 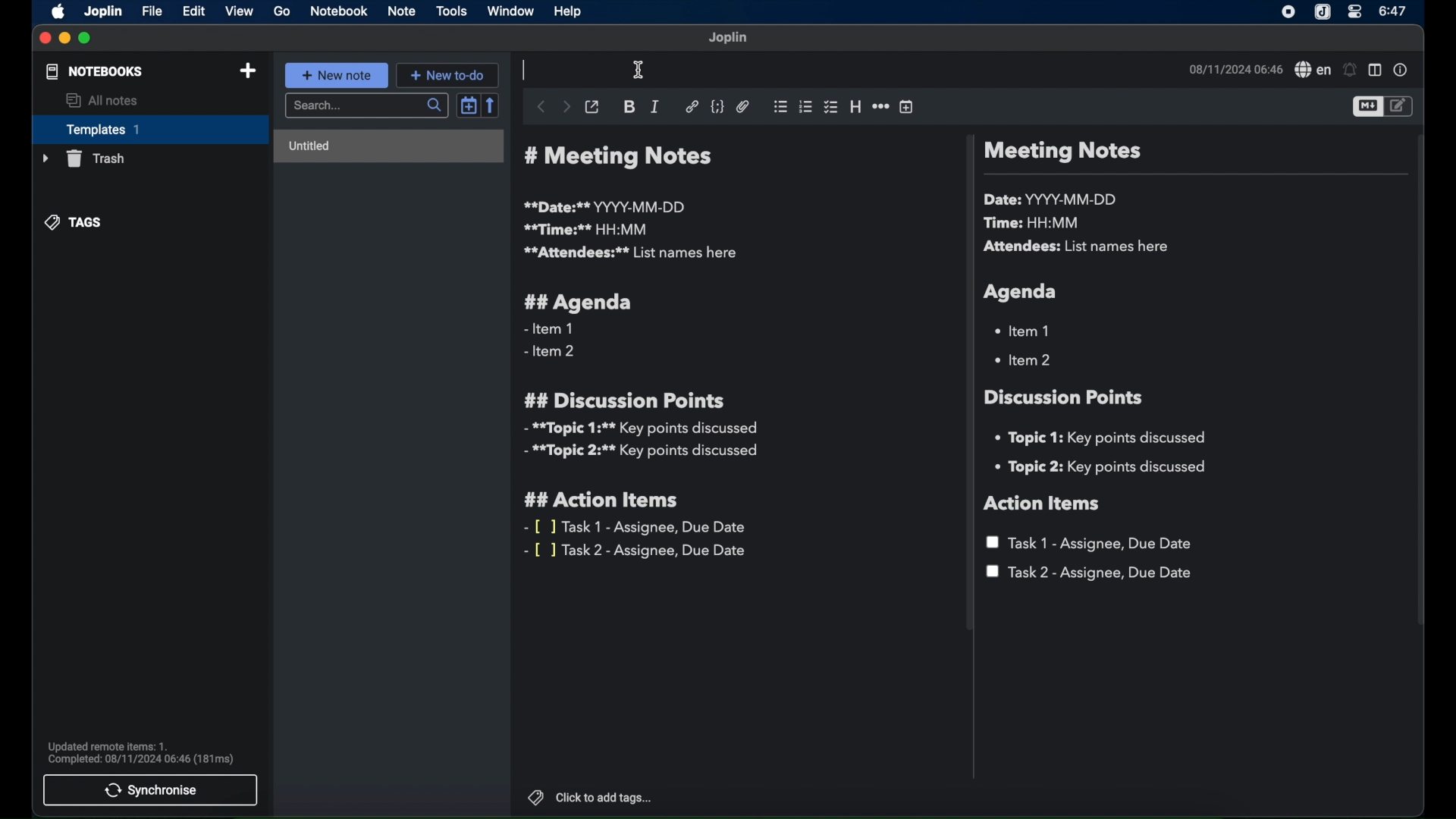 I want to click on new note, so click(x=337, y=75).